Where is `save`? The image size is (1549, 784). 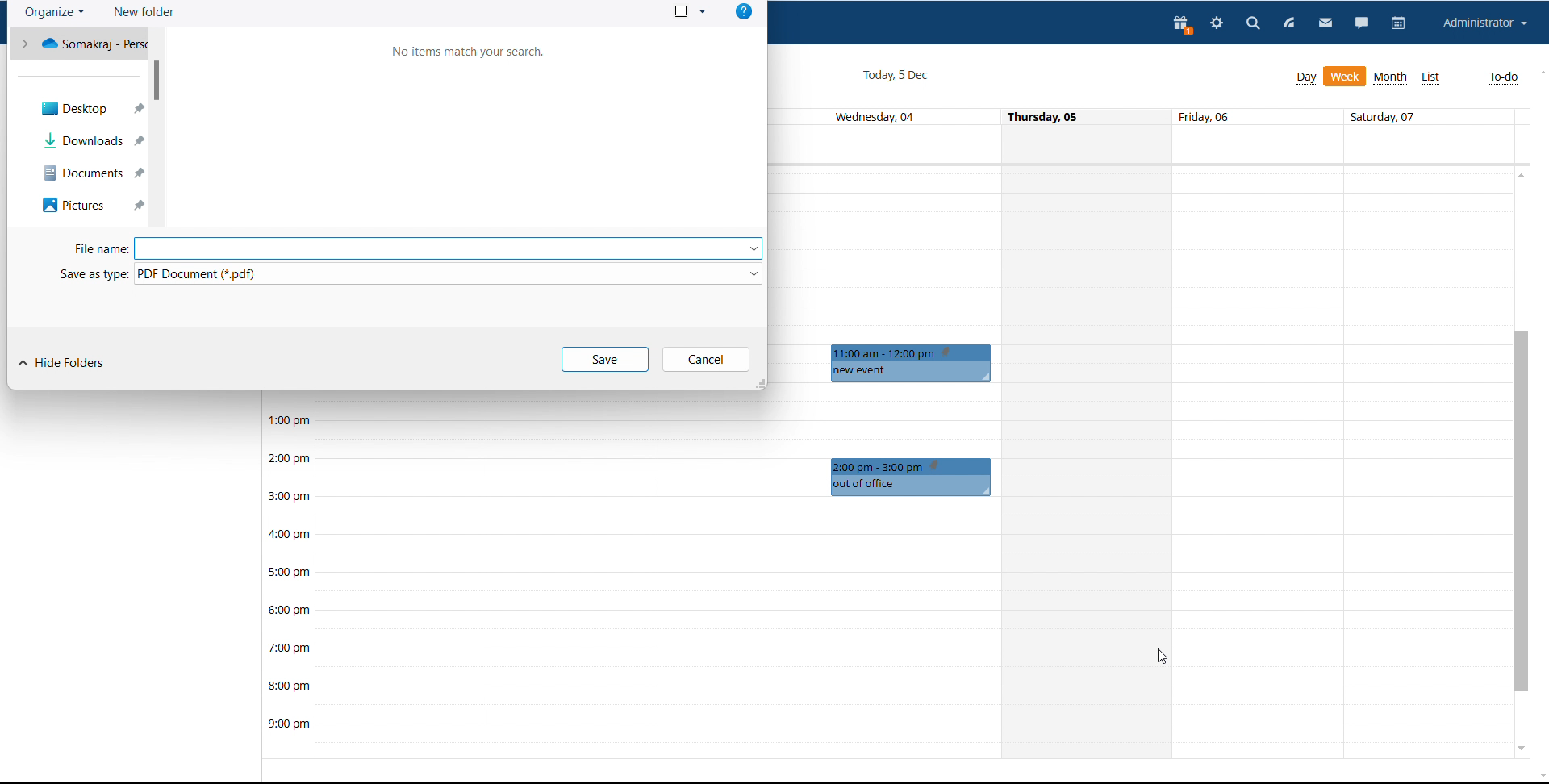 save is located at coordinates (606, 360).